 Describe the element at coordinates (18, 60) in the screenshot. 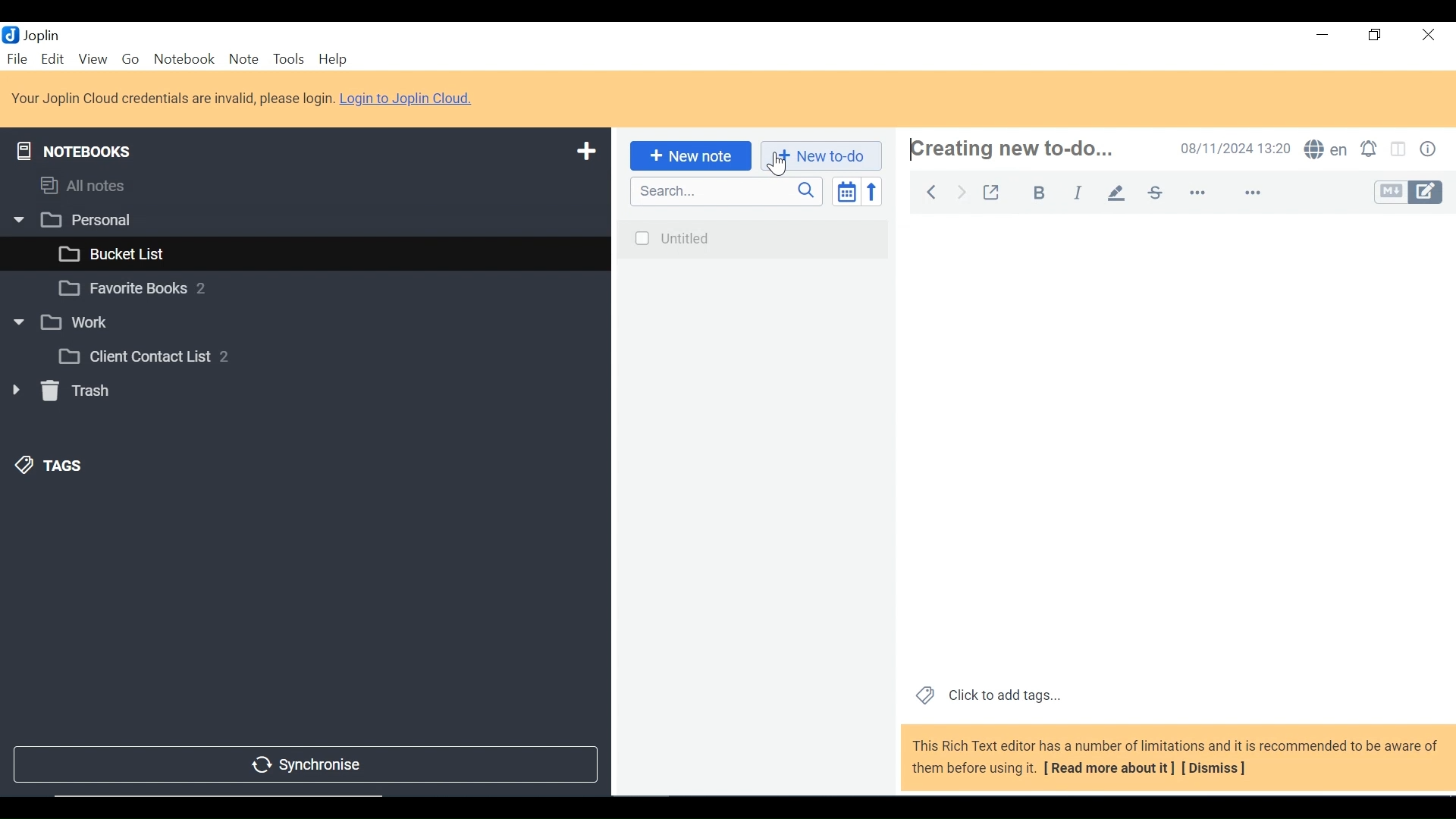

I see `File` at that location.